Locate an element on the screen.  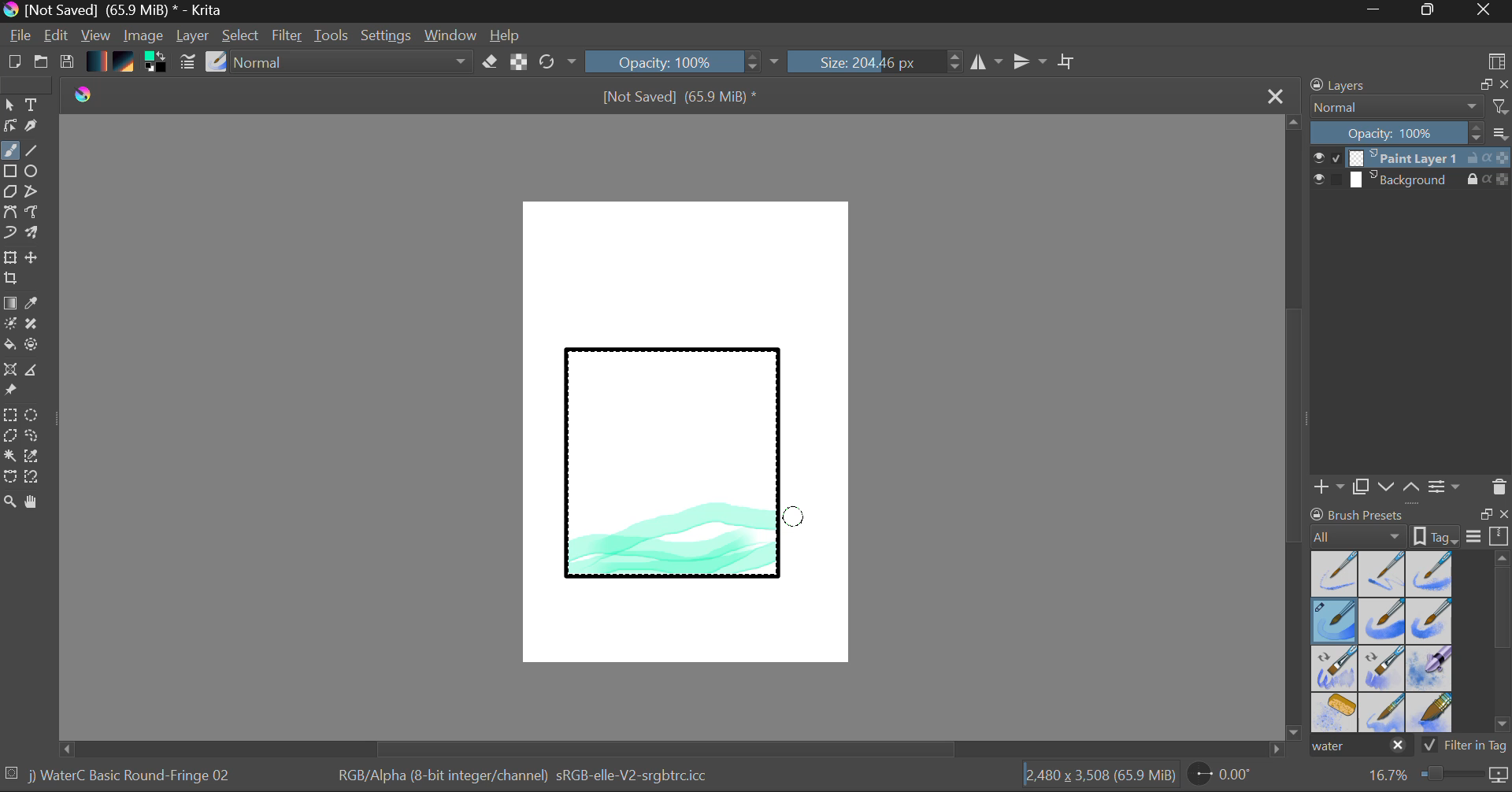
Choose Workspace is located at coordinates (1496, 60).